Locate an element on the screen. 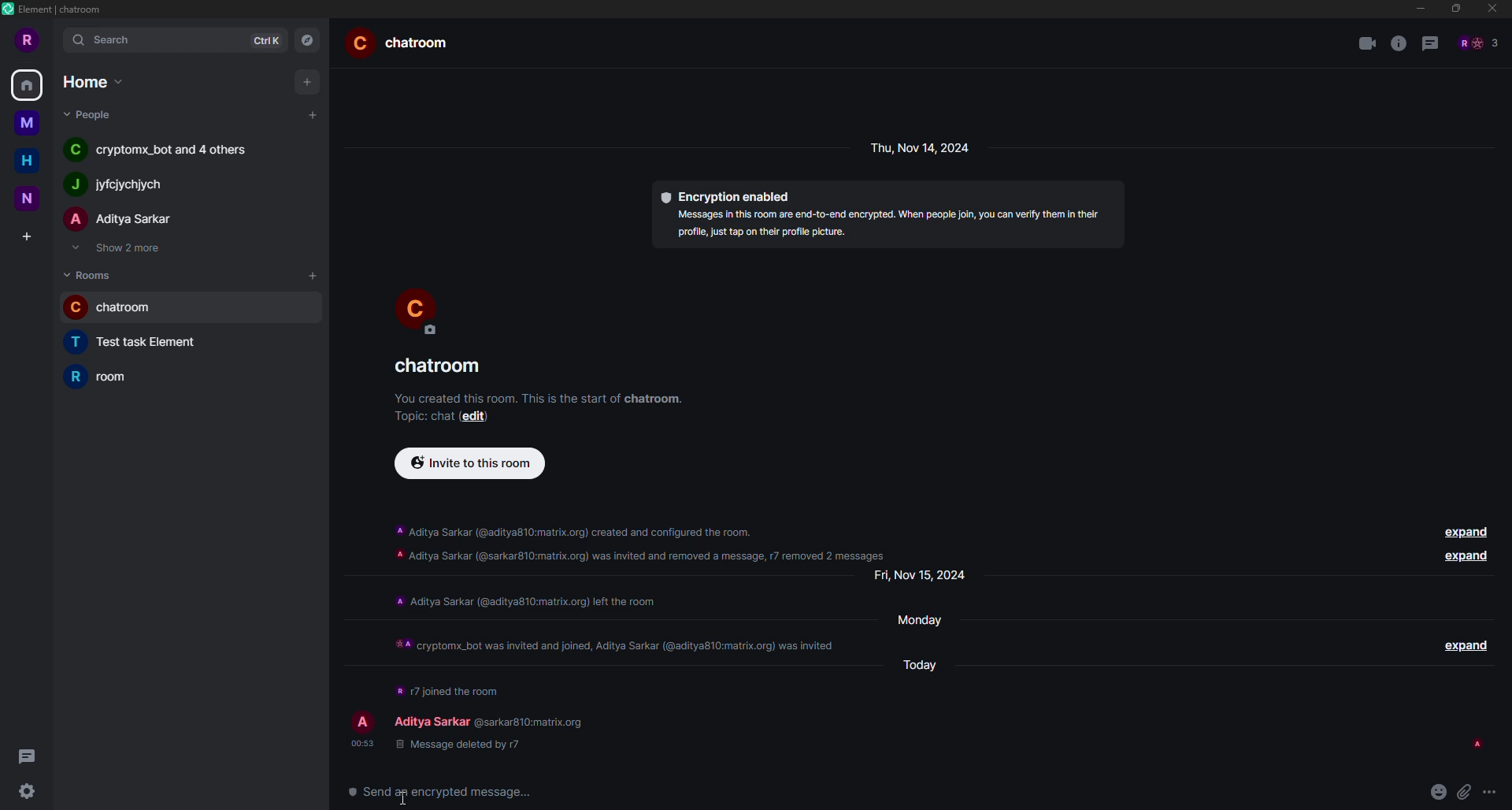 The width and height of the screenshot is (1512, 810). cursor is located at coordinates (402, 804).